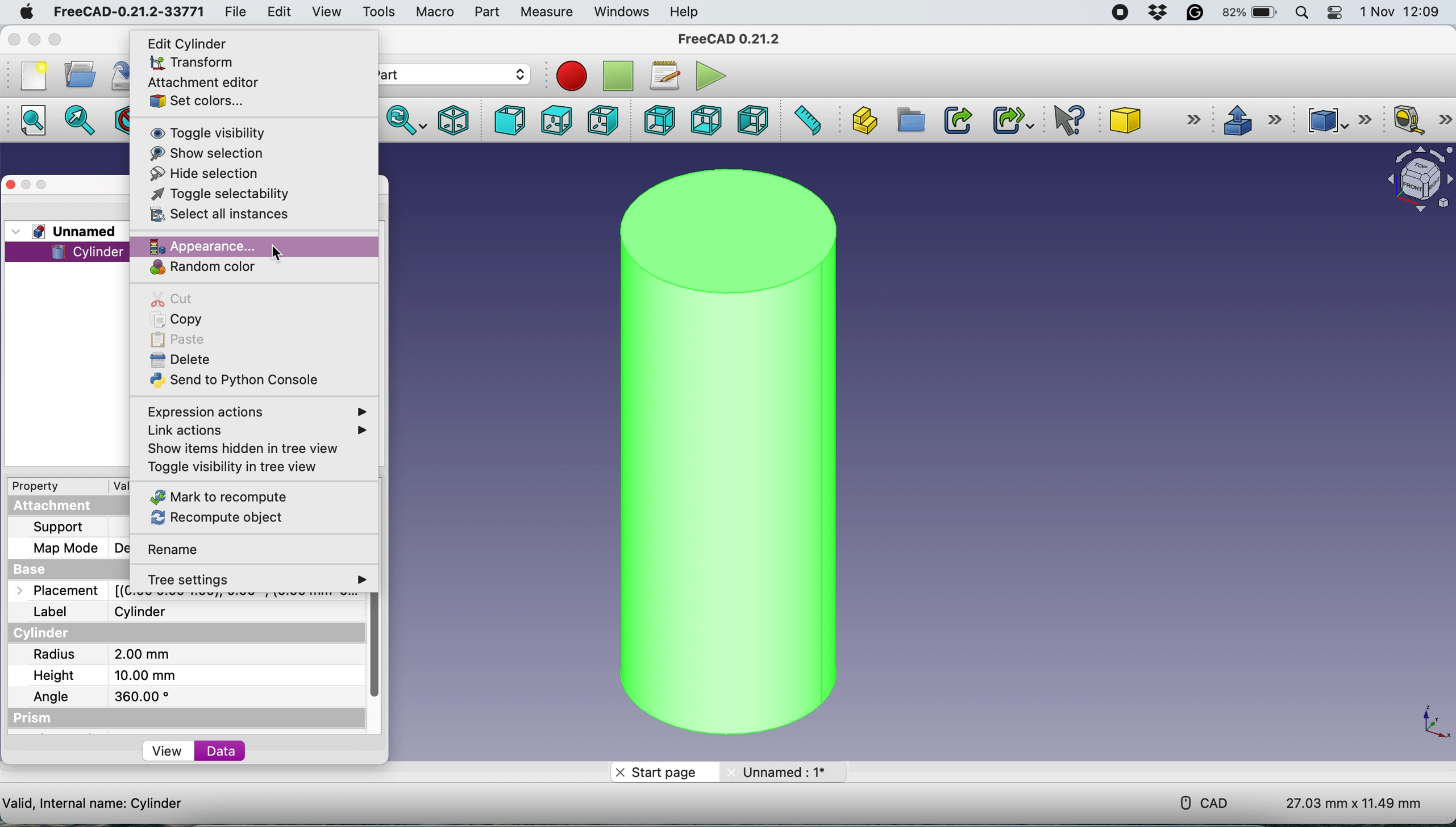 This screenshot has width=1456, height=827. I want to click on bottom, so click(704, 120).